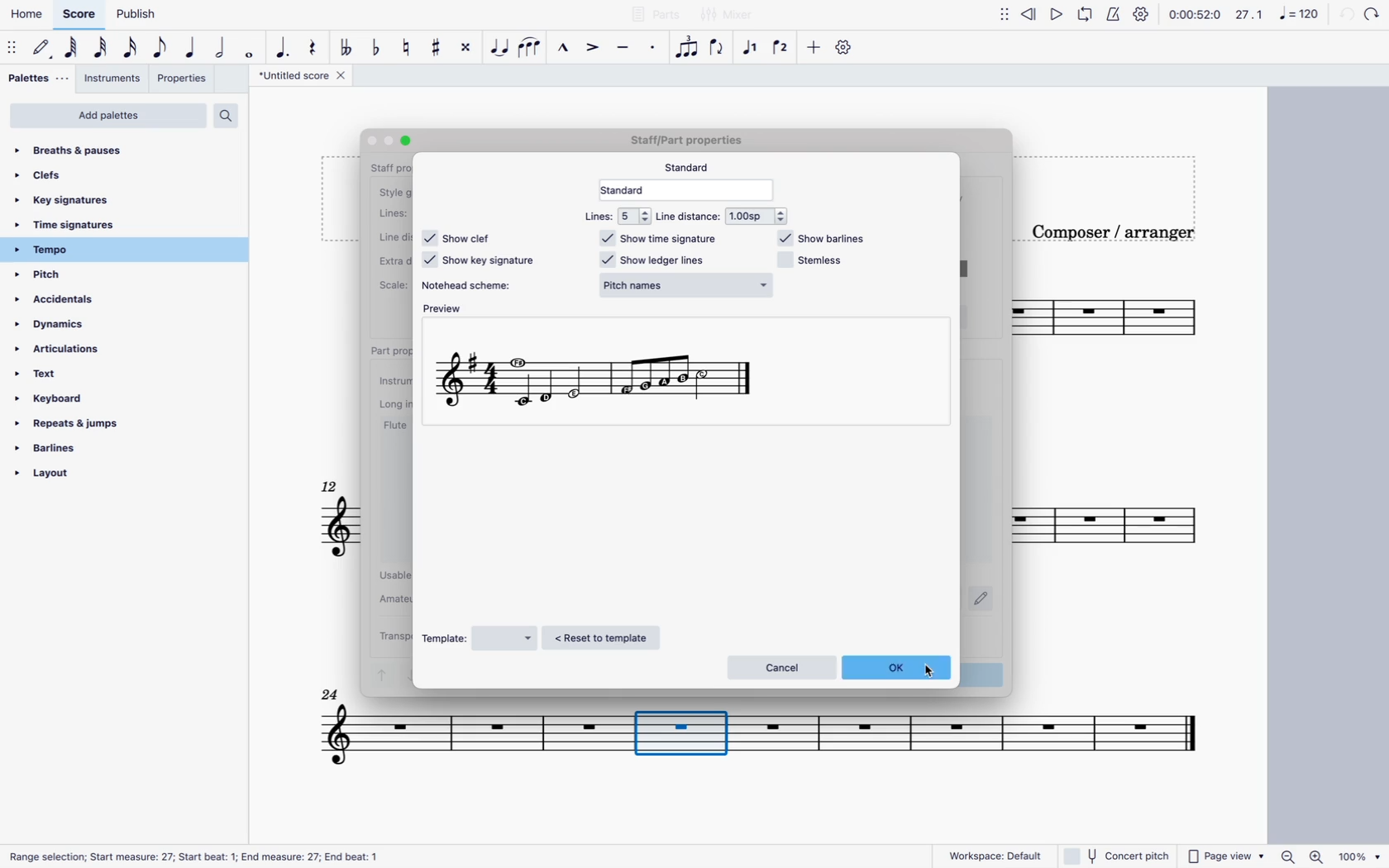 The width and height of the screenshot is (1389, 868). What do you see at coordinates (29, 13) in the screenshot?
I see `home` at bounding box center [29, 13].